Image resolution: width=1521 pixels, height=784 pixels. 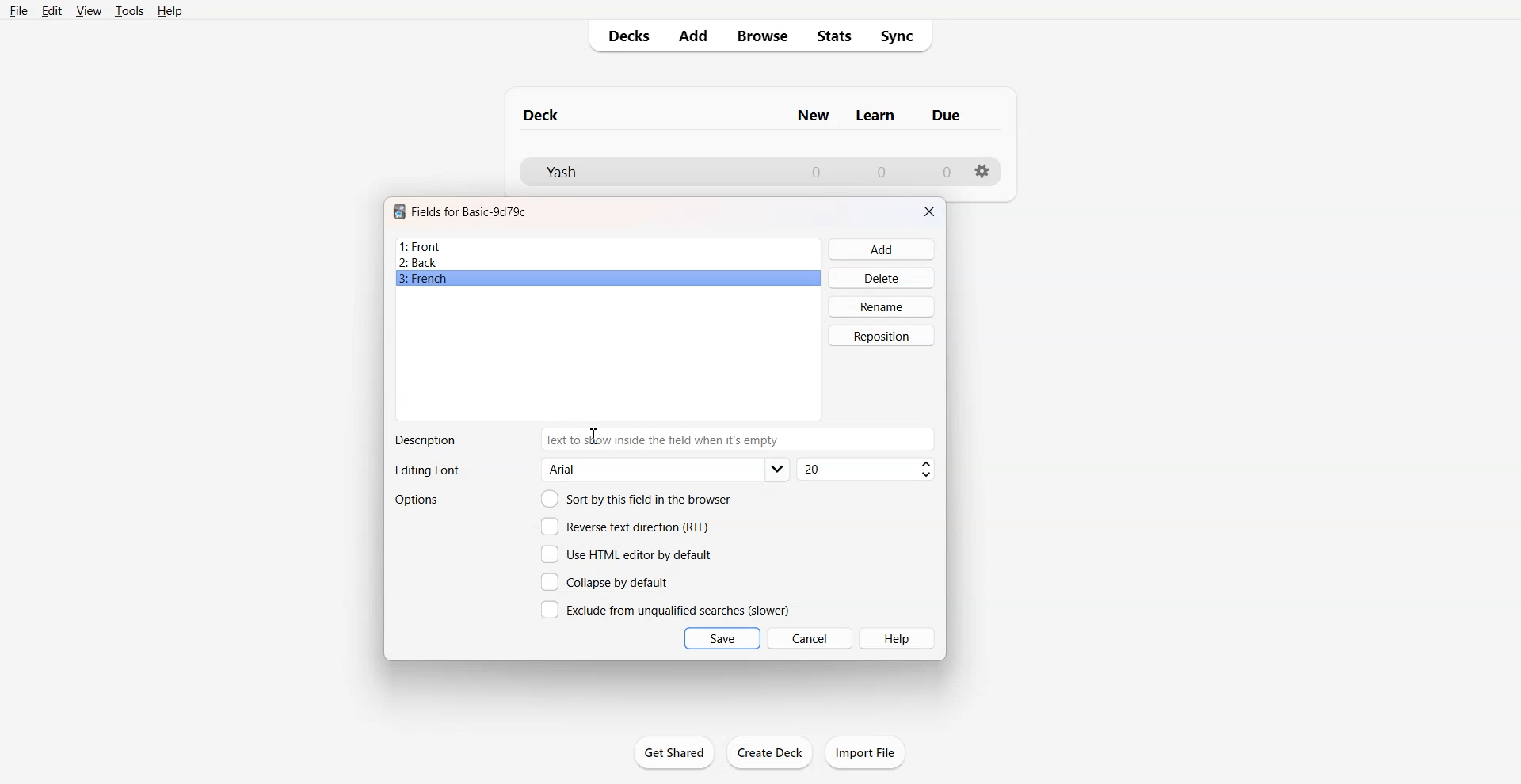 What do you see at coordinates (946, 115) in the screenshot?
I see `Column name` at bounding box center [946, 115].